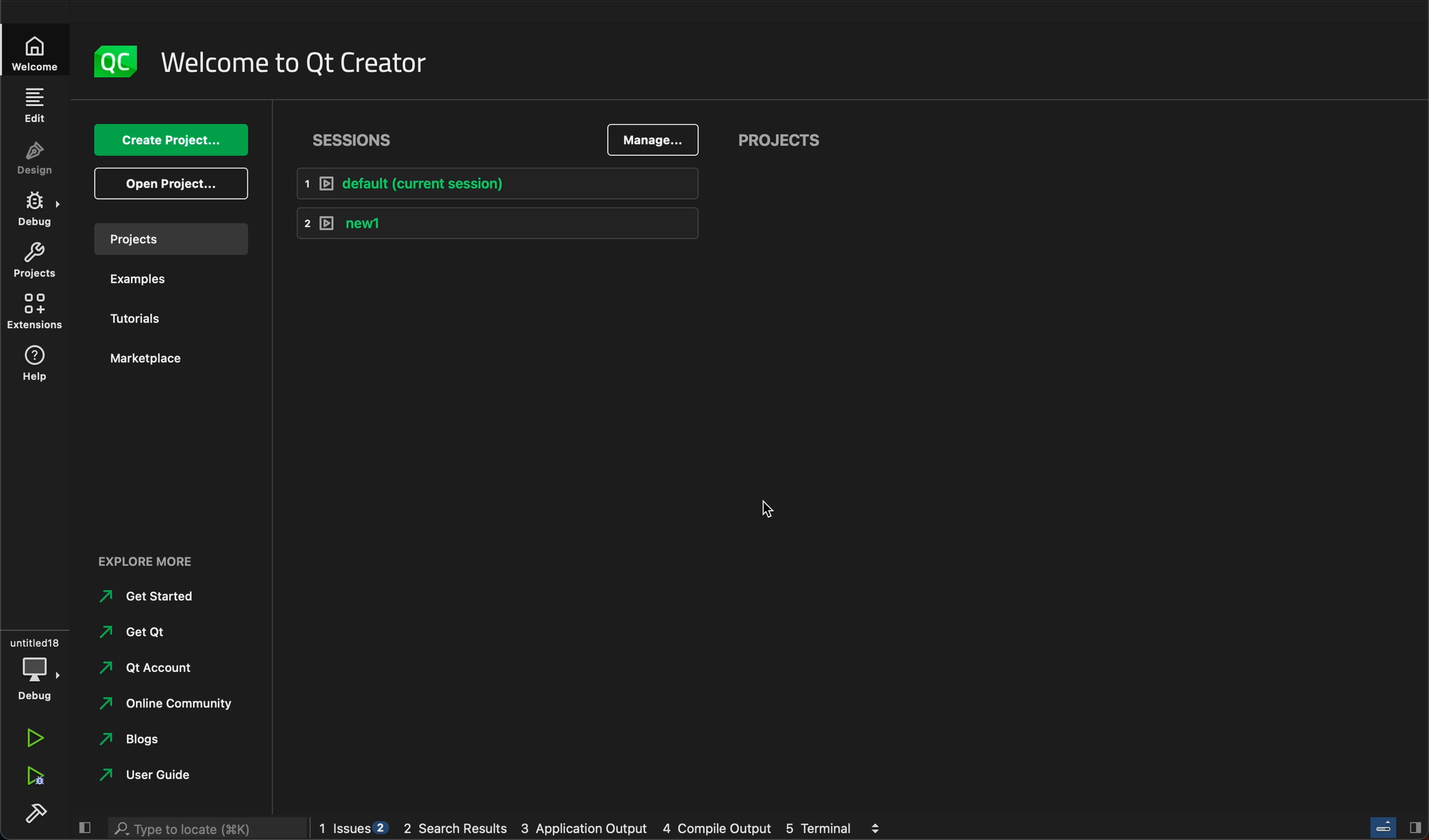 The height and width of the screenshot is (840, 1429). What do you see at coordinates (202, 829) in the screenshot?
I see `` at bounding box center [202, 829].